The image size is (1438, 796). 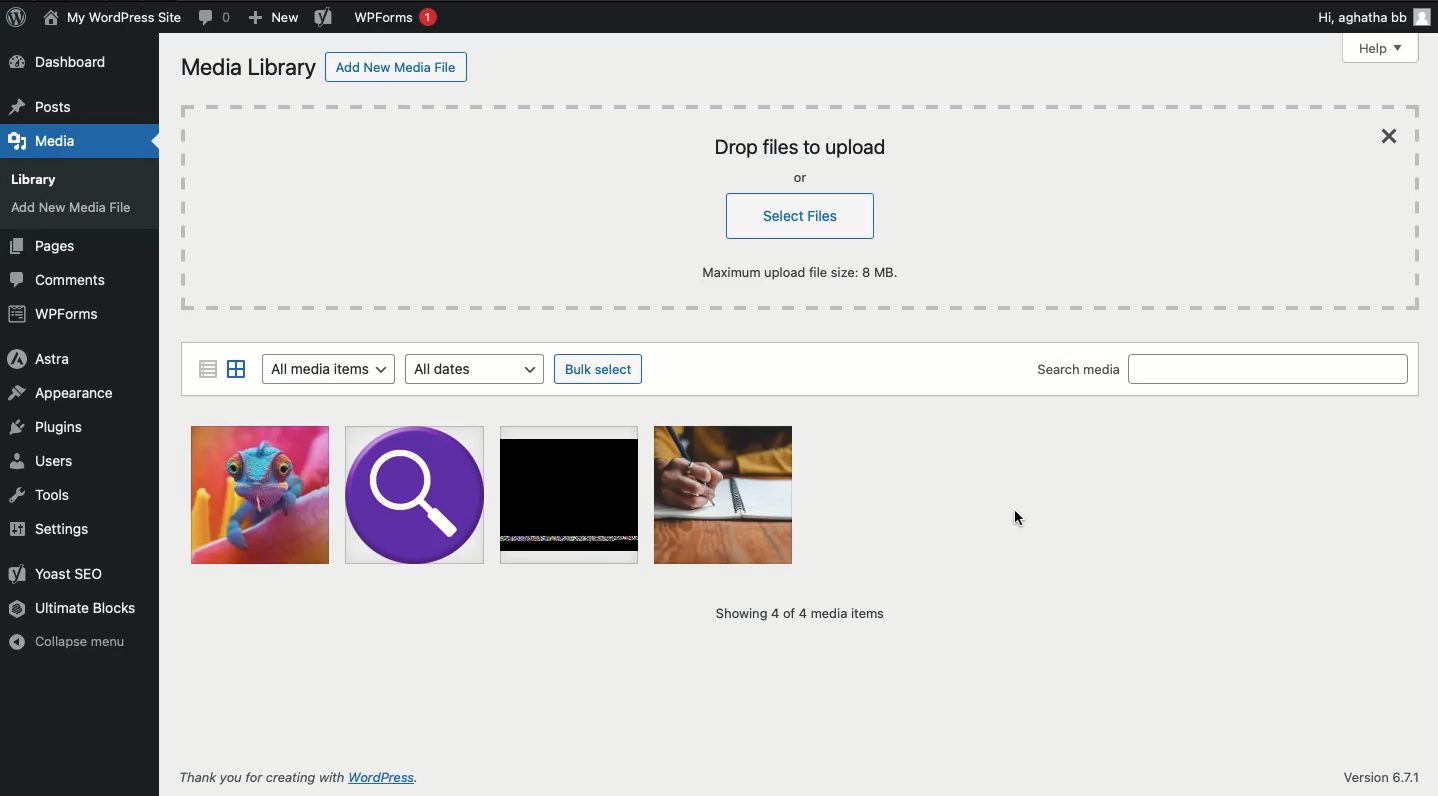 I want to click on Cursor, so click(x=1010, y=517).